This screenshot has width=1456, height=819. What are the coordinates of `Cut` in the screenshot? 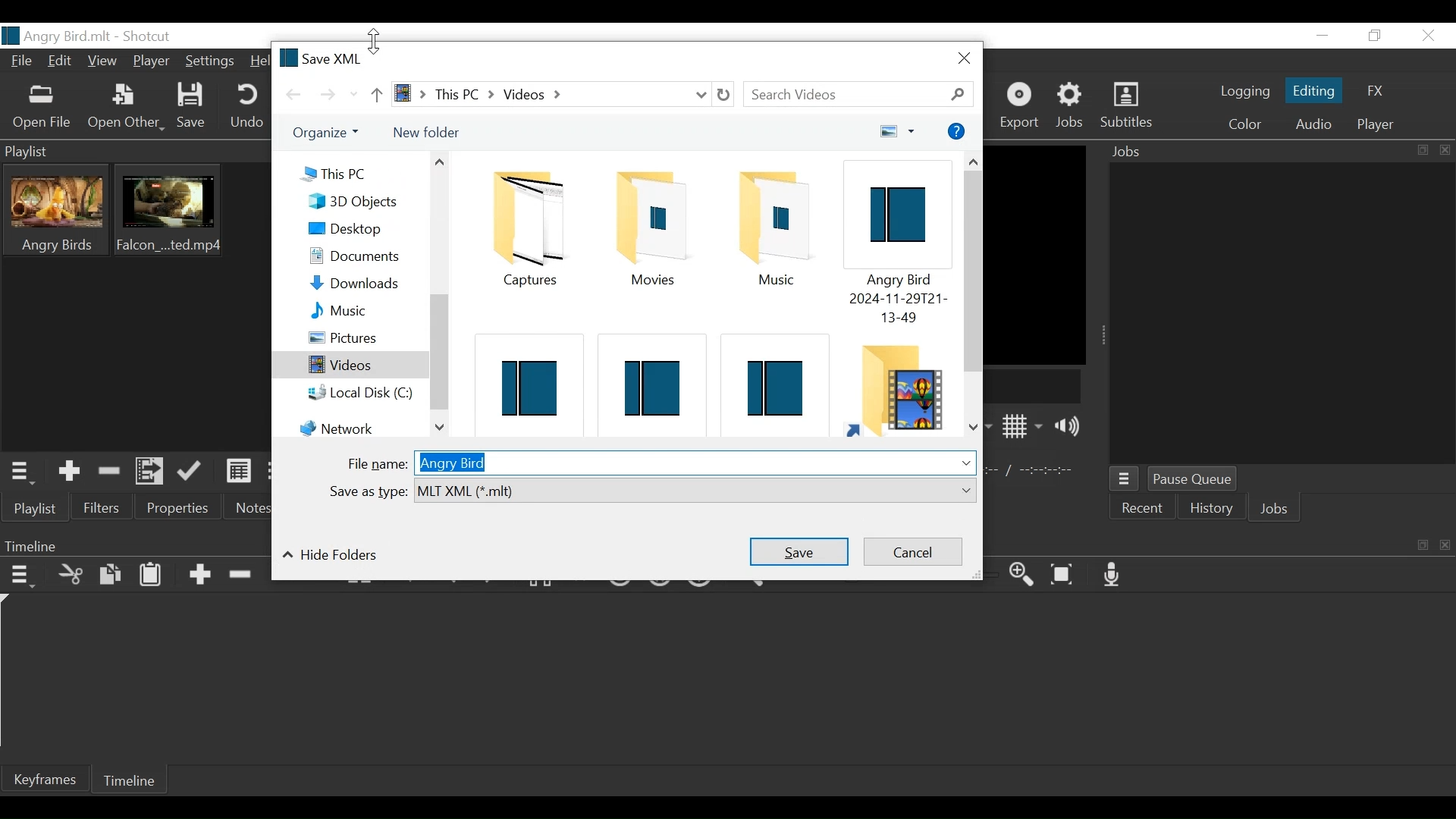 It's located at (71, 575).